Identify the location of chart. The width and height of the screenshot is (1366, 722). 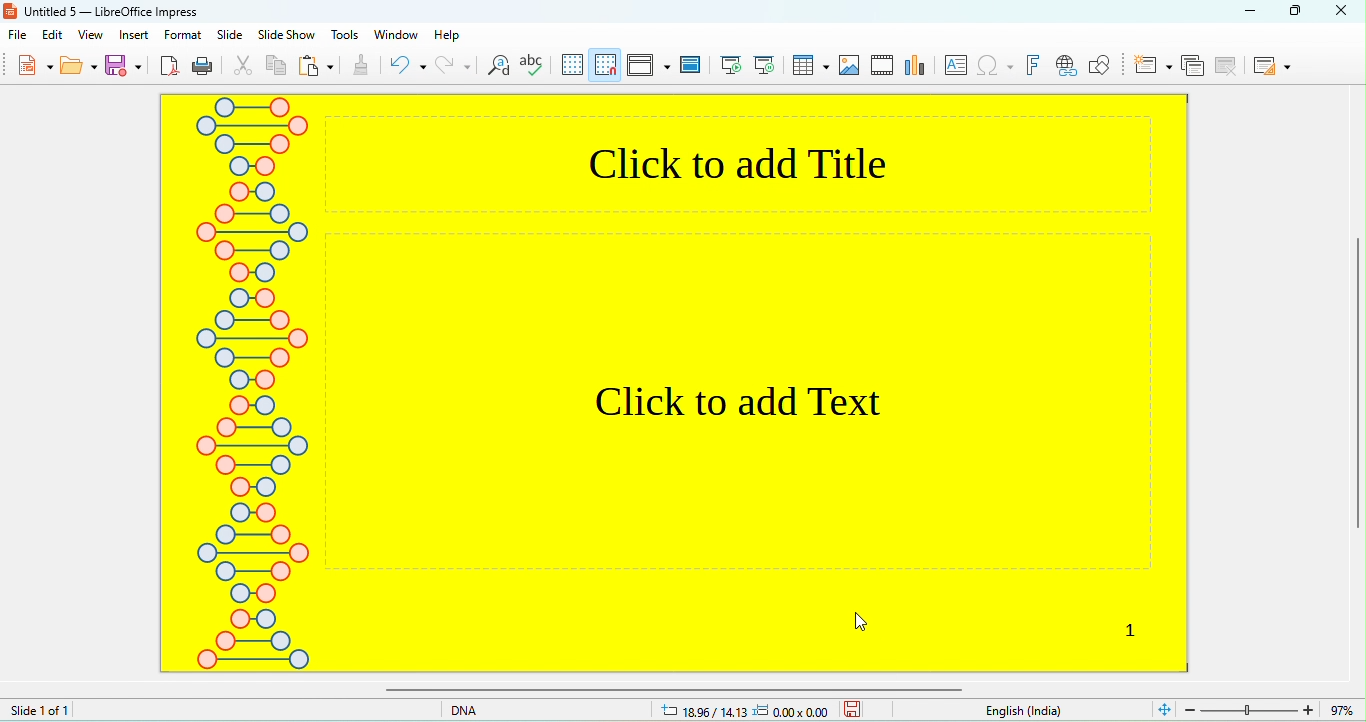
(918, 66).